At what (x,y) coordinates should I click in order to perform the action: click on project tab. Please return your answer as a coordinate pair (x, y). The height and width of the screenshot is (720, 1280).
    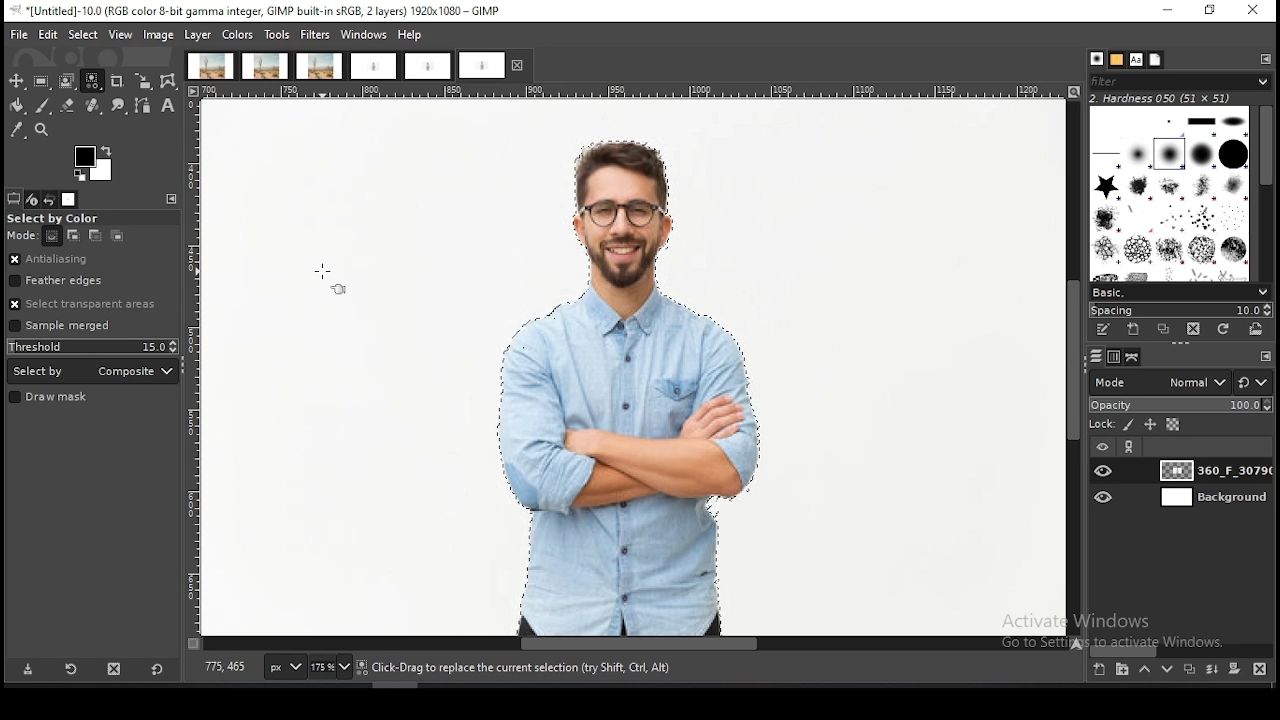
    Looking at the image, I should click on (266, 66).